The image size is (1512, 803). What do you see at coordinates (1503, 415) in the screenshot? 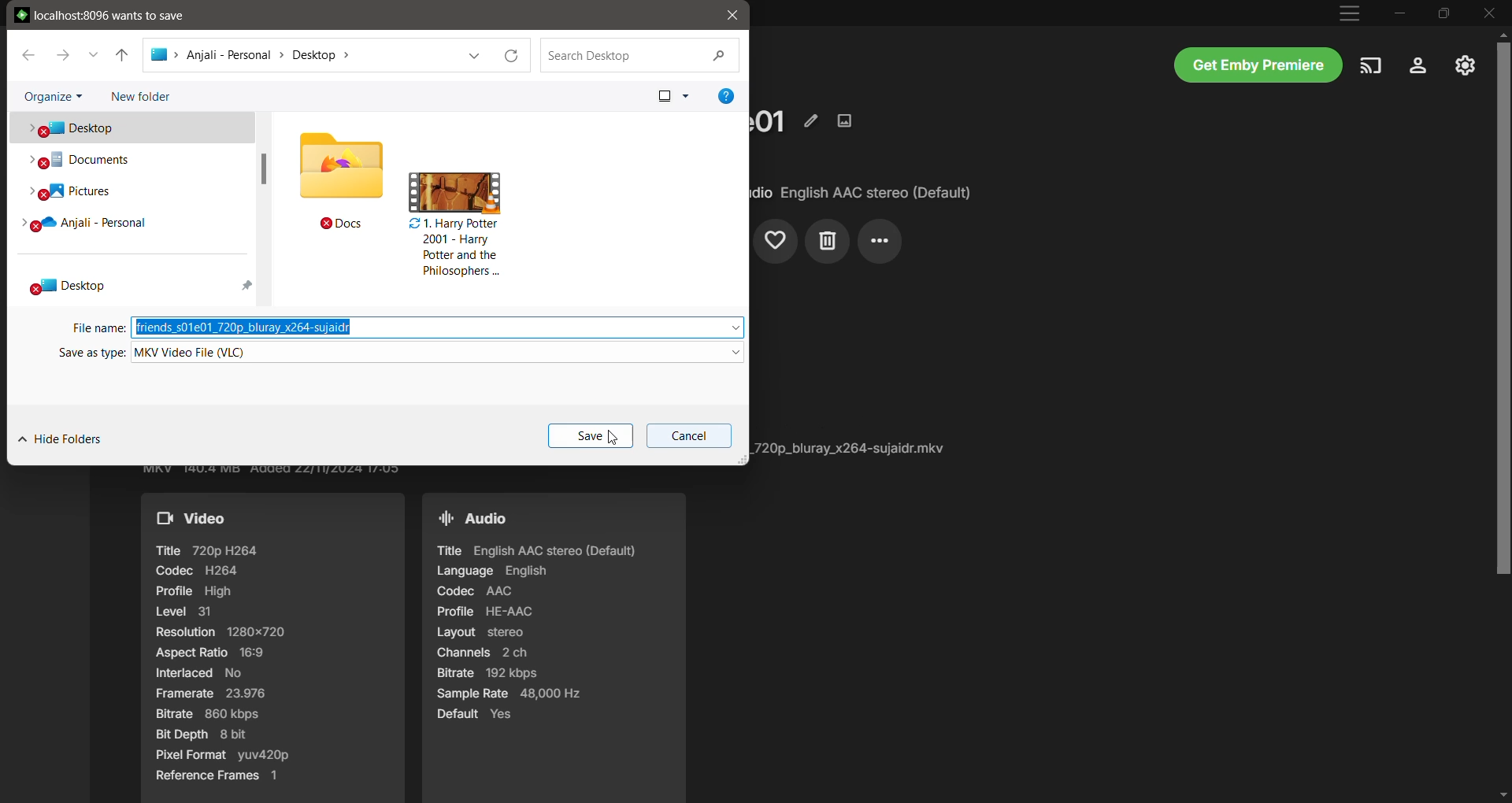
I see `Vertical Scroll Bar` at bounding box center [1503, 415].